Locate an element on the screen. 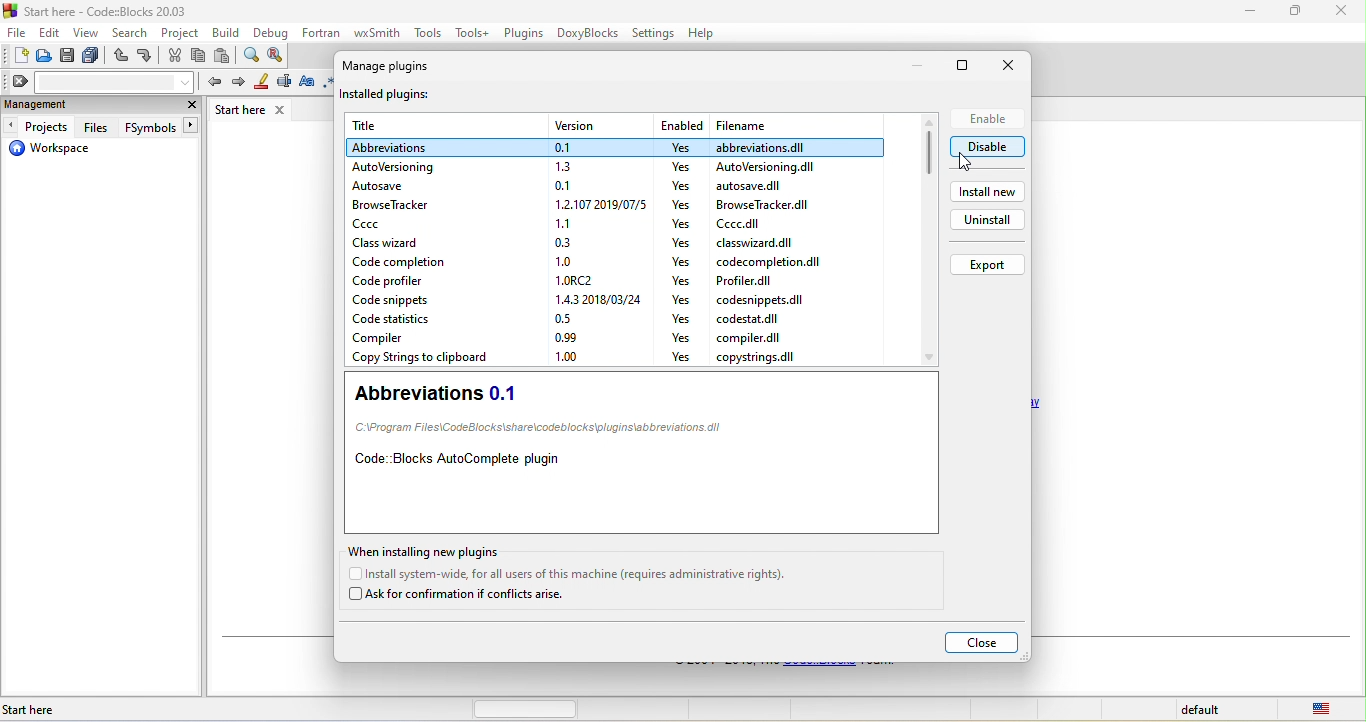 The height and width of the screenshot is (722, 1366). doxyblocks is located at coordinates (590, 33).